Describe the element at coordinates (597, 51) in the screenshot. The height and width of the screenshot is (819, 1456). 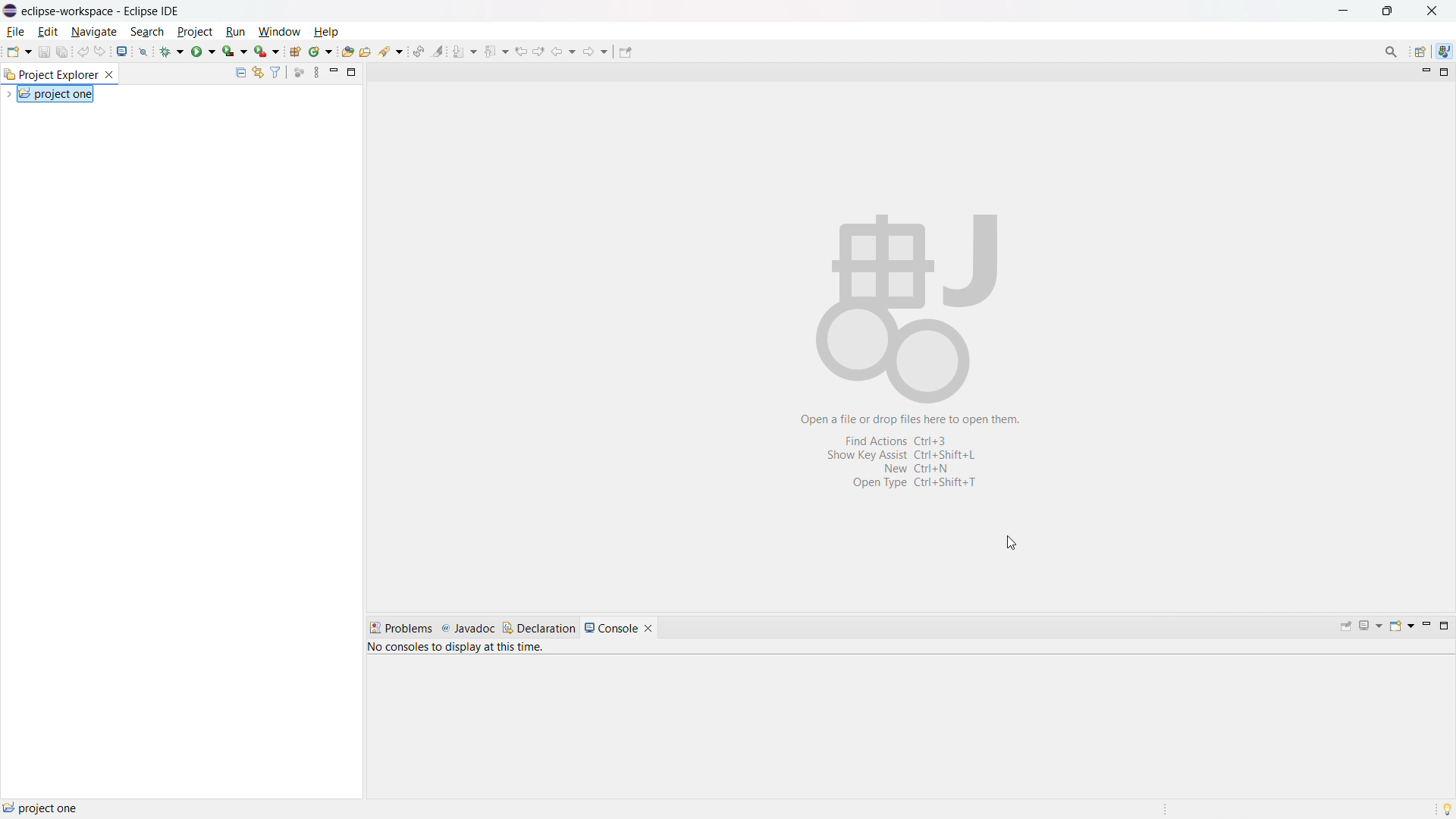
I see `forward` at that location.